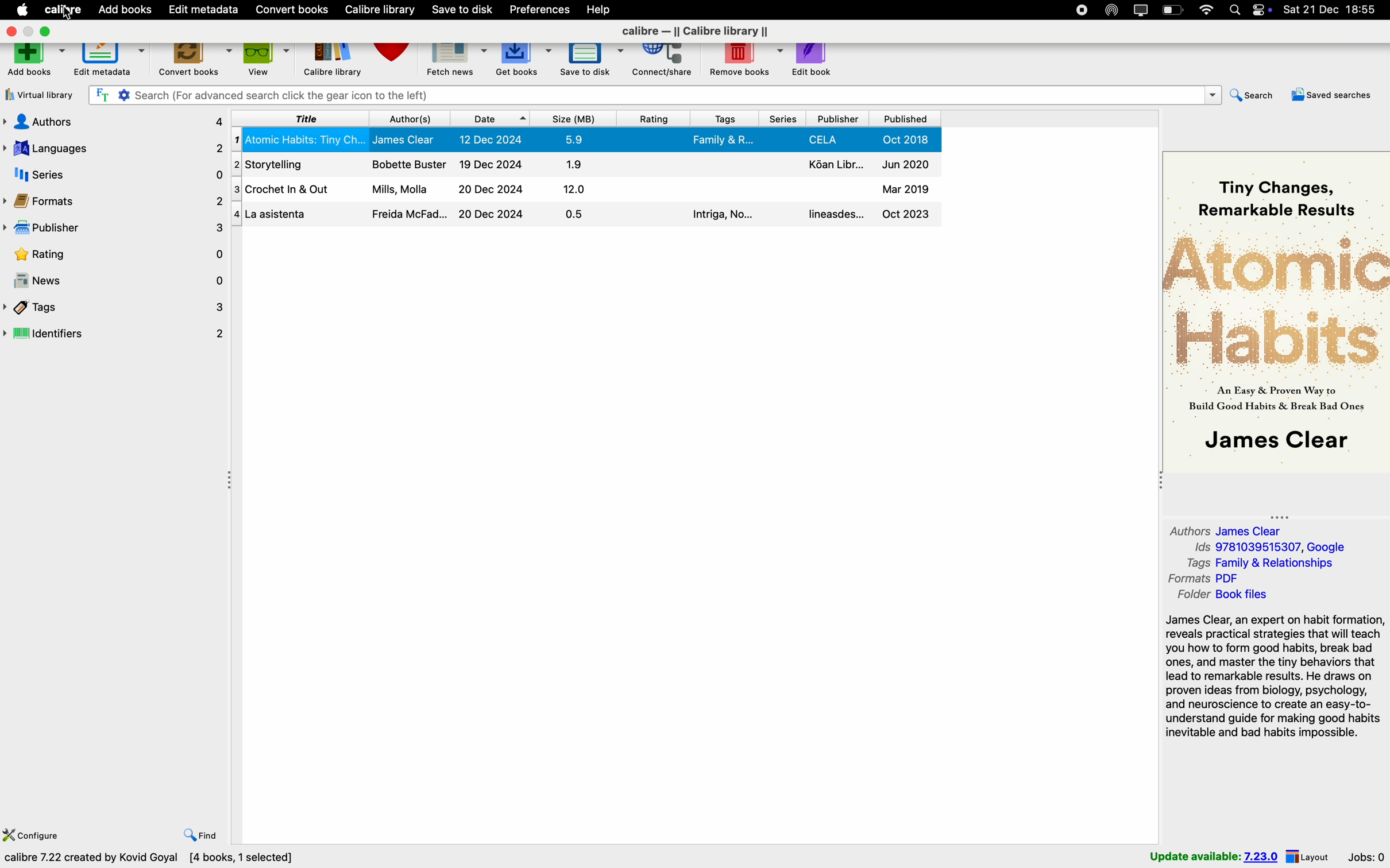 This screenshot has height=868, width=1390. What do you see at coordinates (1269, 548) in the screenshot?
I see `Ids 9781039515307, Google` at bounding box center [1269, 548].